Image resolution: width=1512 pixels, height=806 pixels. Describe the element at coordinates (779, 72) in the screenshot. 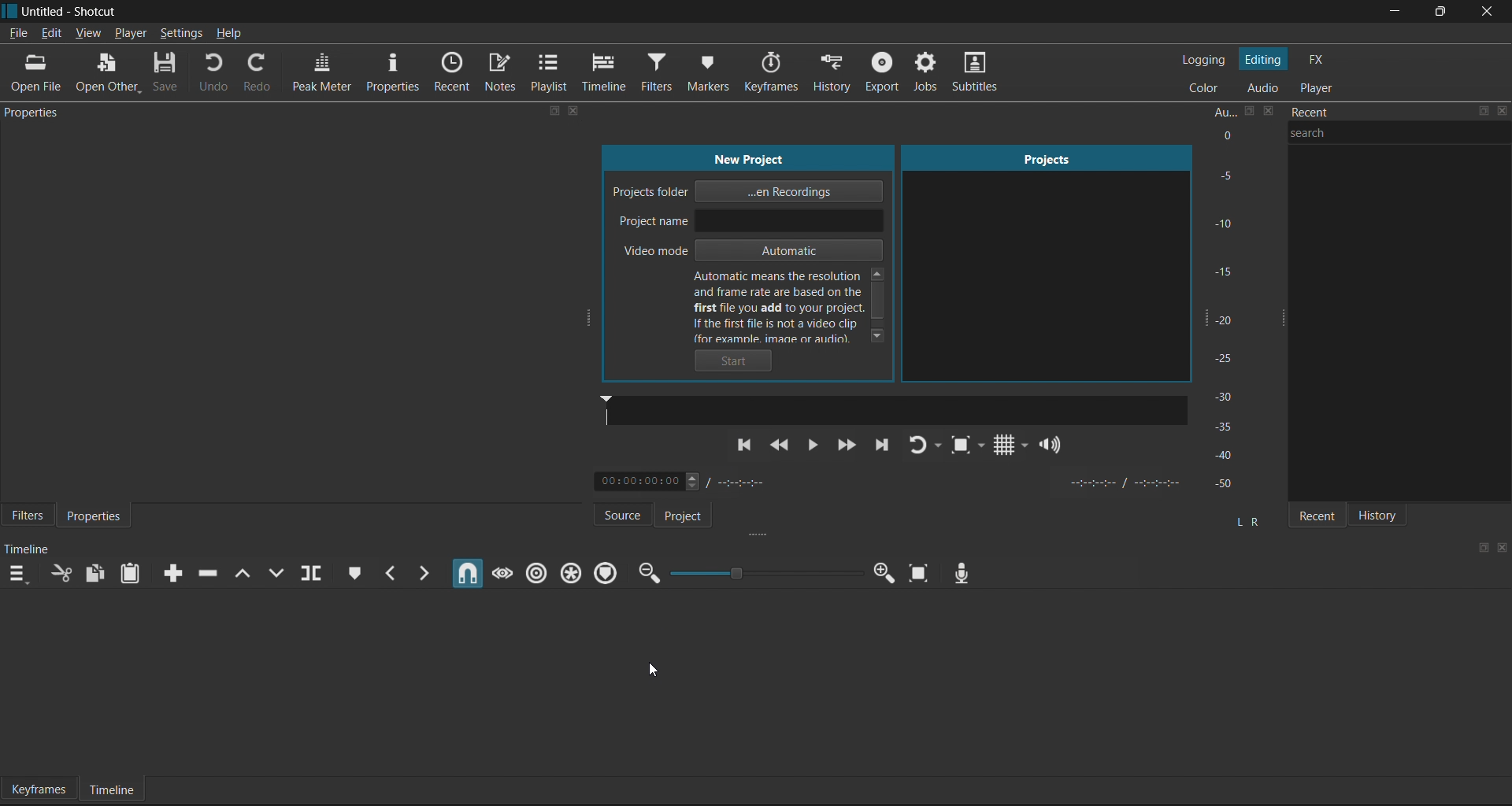

I see `Keyframes` at that location.